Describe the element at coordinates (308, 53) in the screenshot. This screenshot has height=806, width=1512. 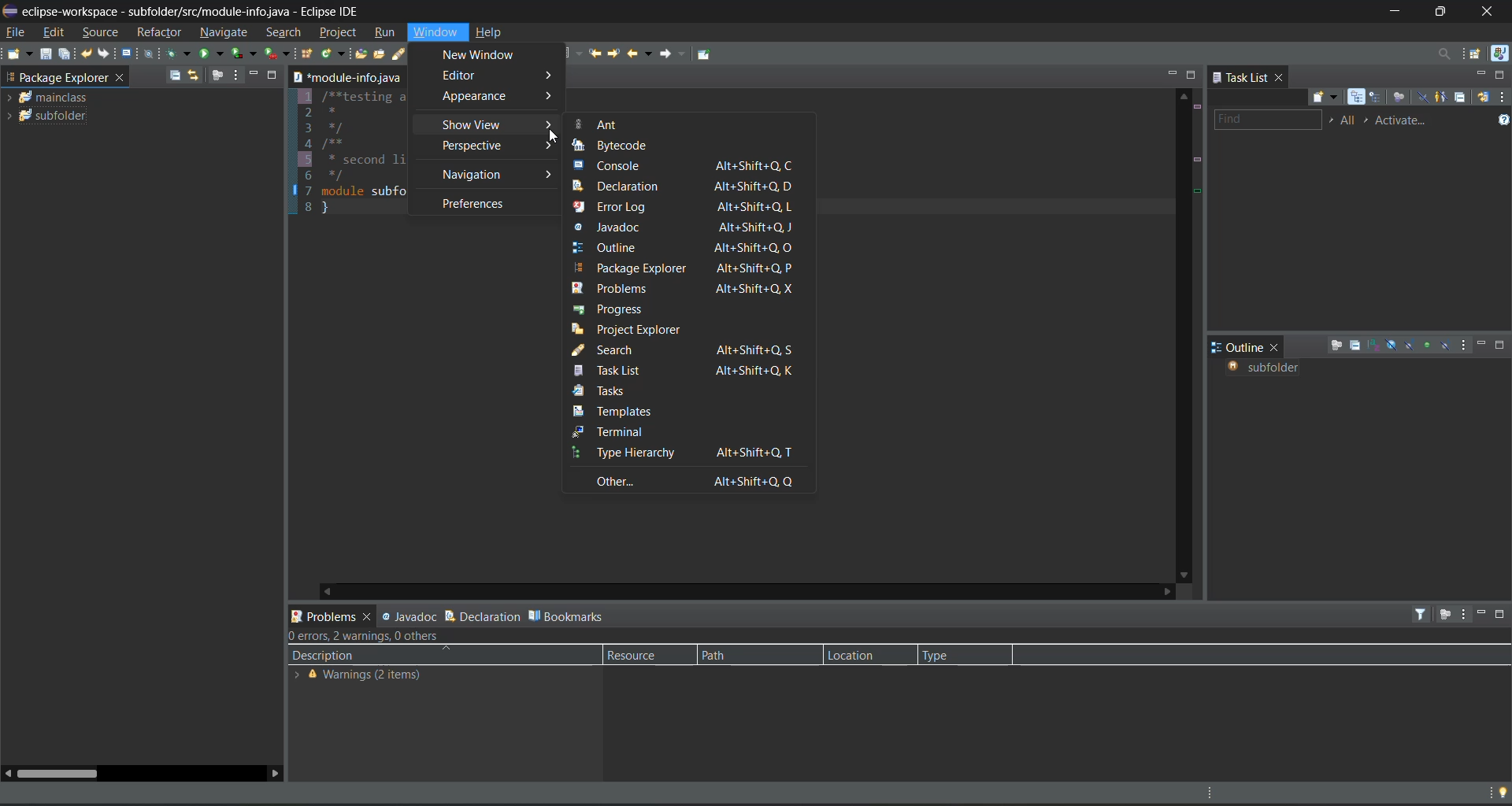
I see `new java package` at that location.